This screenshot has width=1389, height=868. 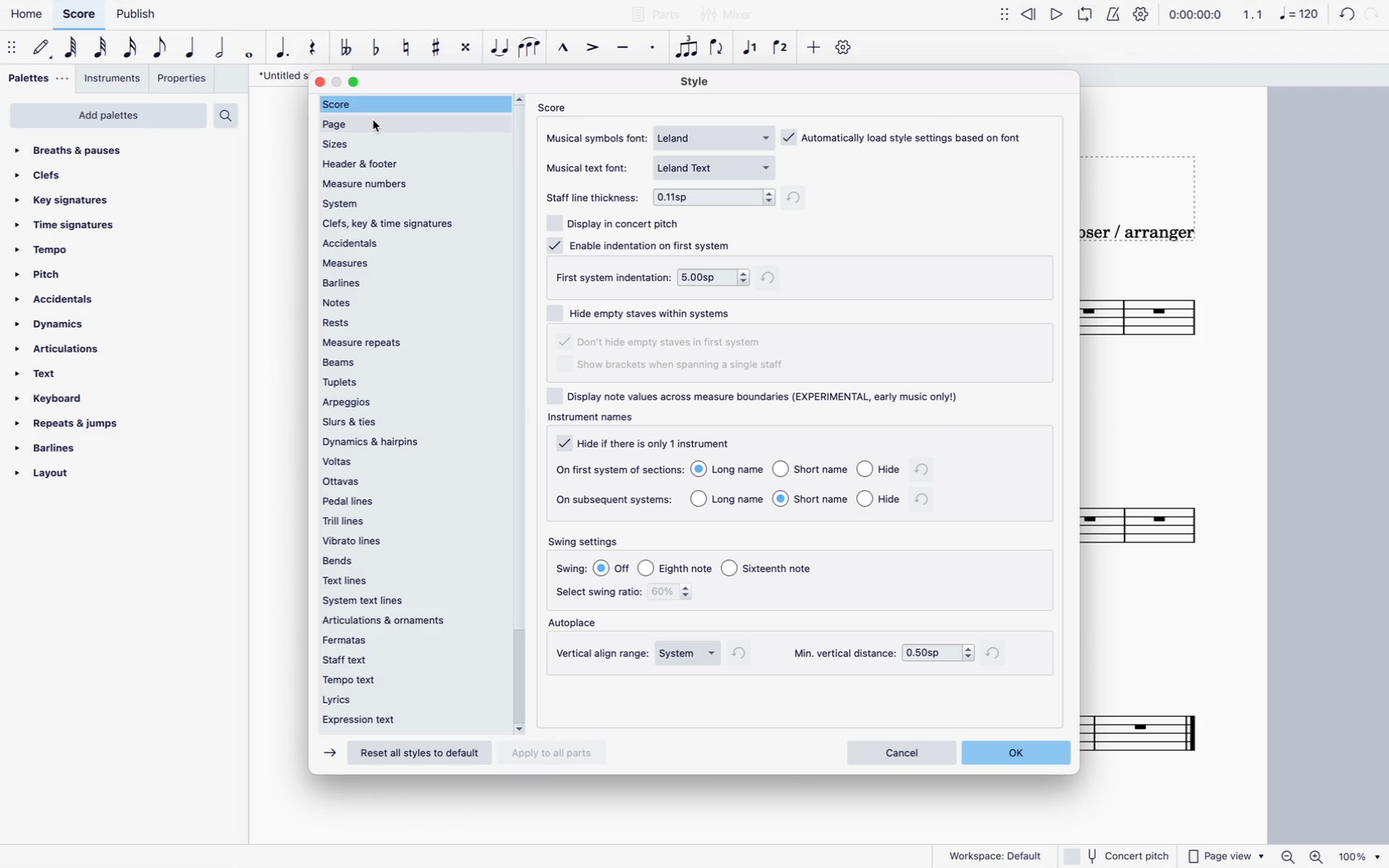 I want to click on options, so click(x=689, y=653).